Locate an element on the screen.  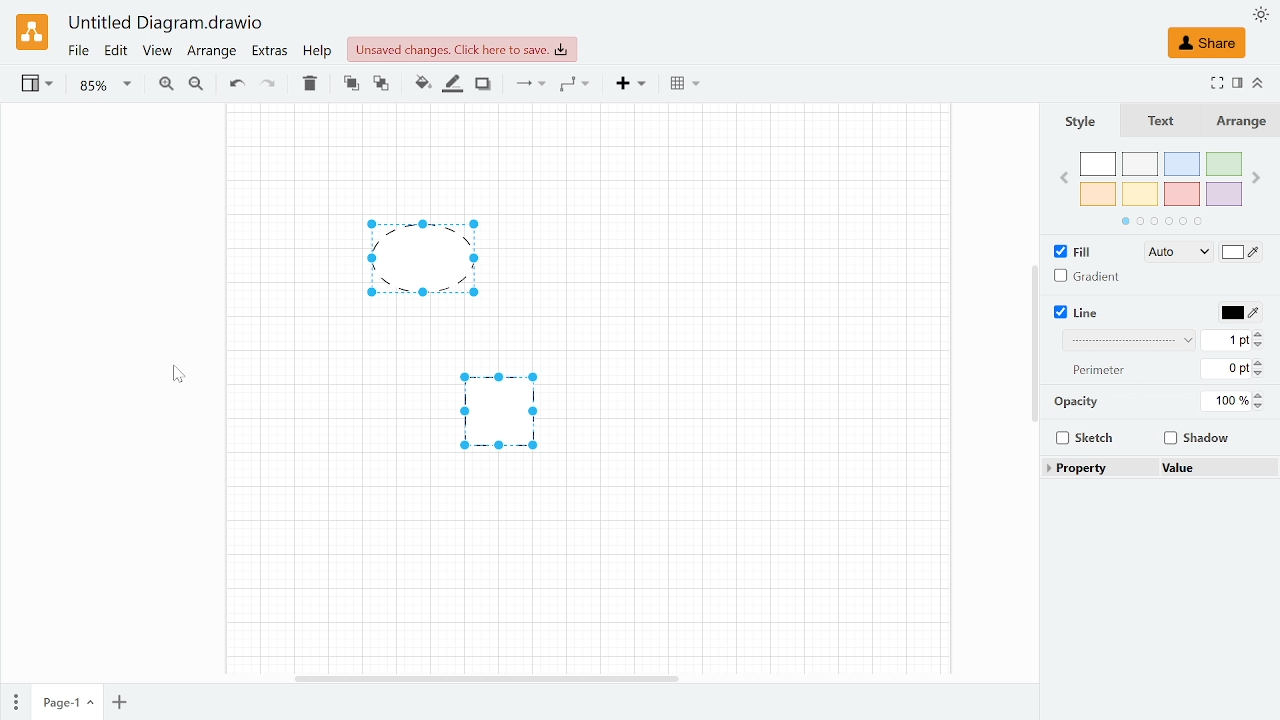
Fill line is located at coordinates (450, 85).